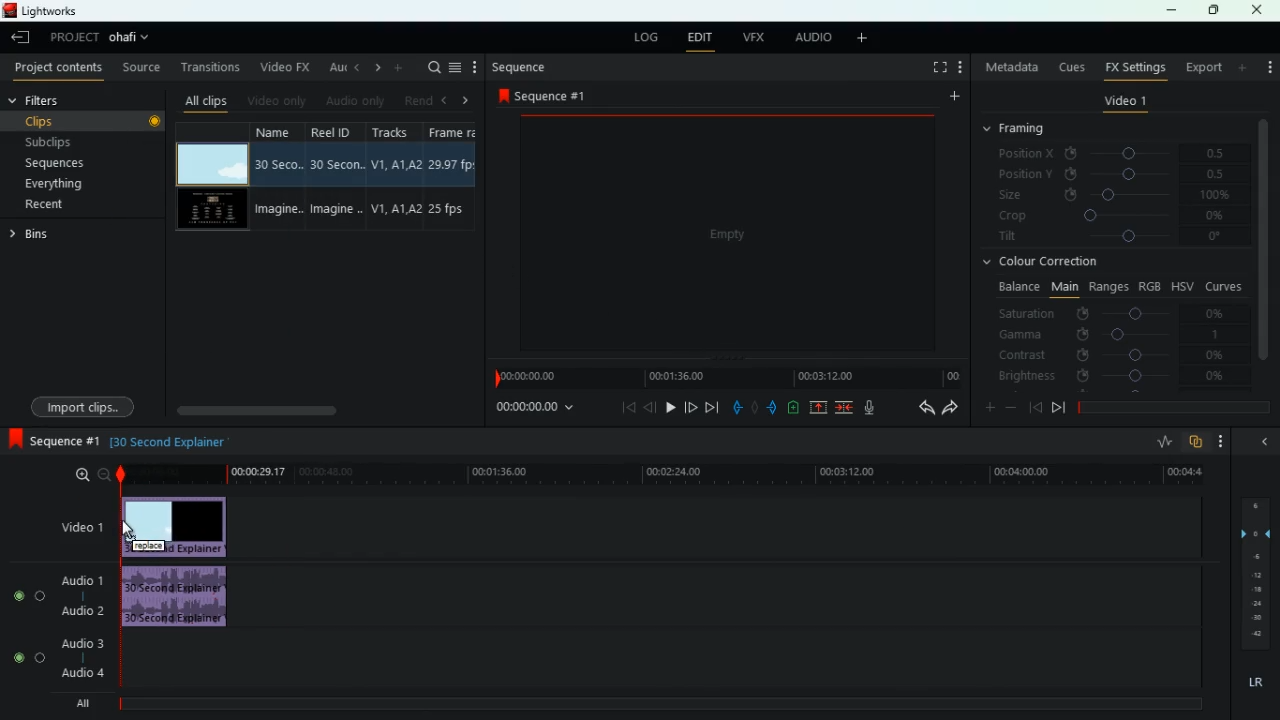 This screenshot has height=720, width=1280. Describe the element at coordinates (1163, 444) in the screenshot. I see `rate` at that location.